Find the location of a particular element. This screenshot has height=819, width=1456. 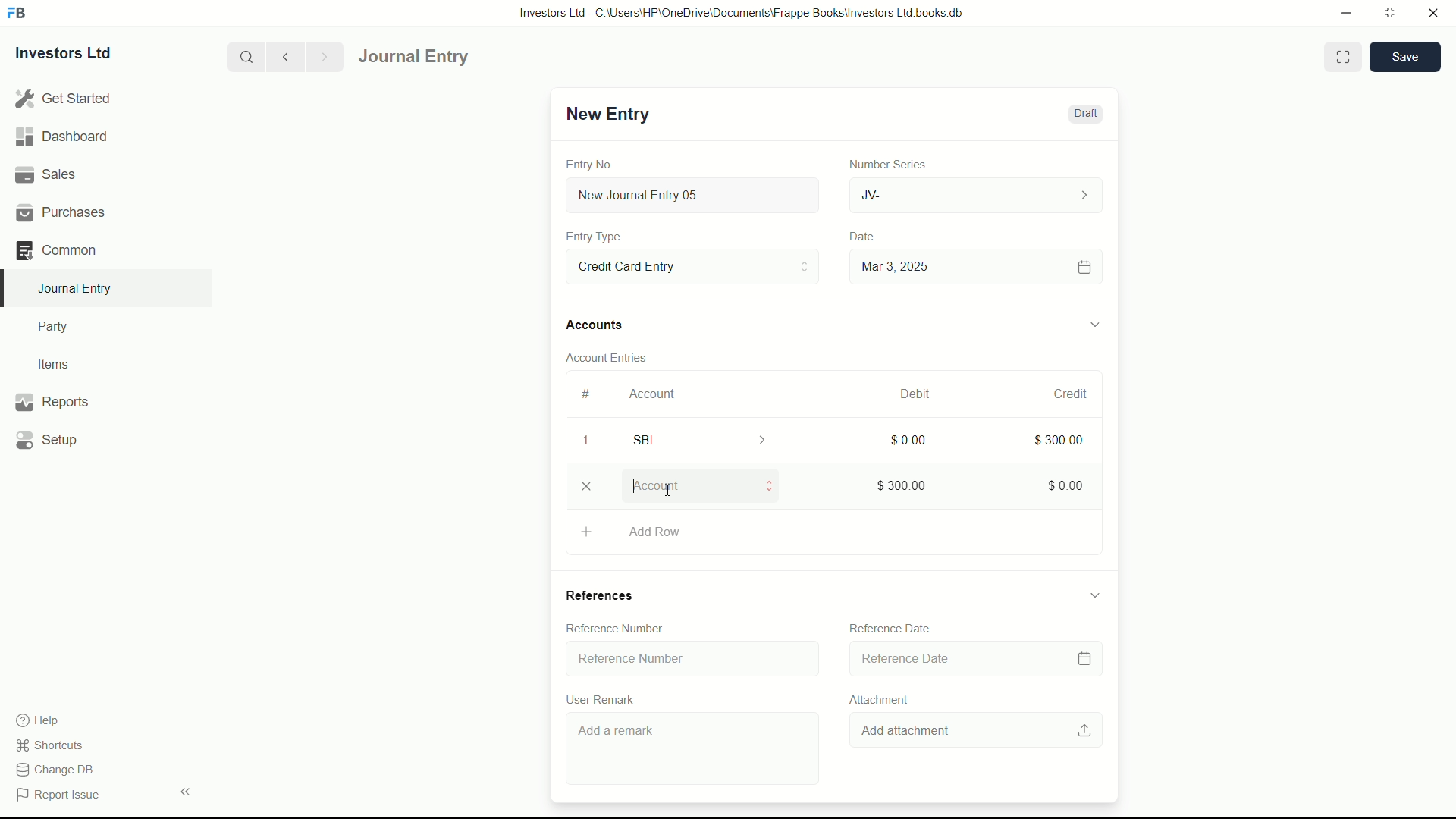

previous is located at coordinates (284, 56).